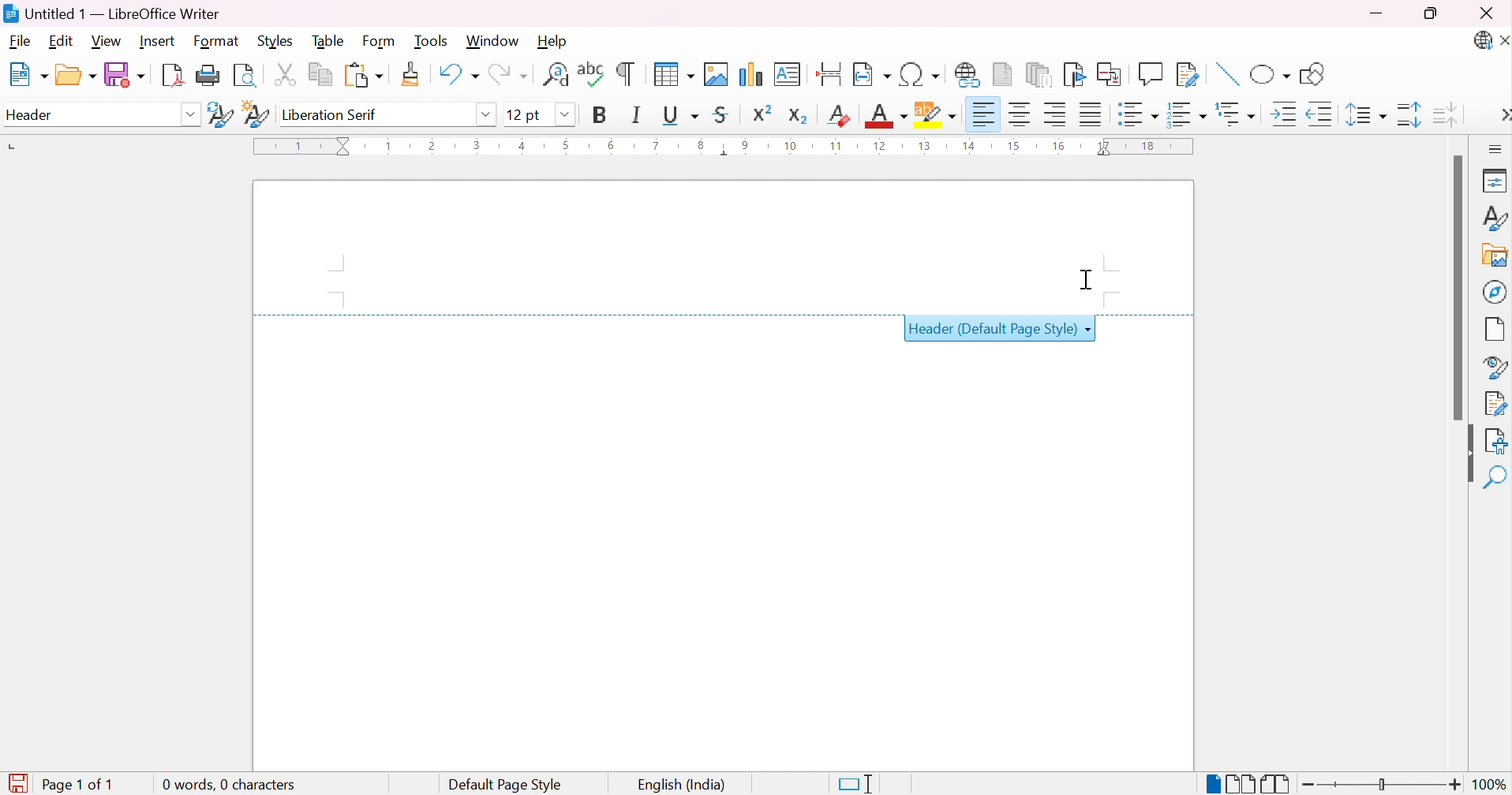  What do you see at coordinates (1454, 784) in the screenshot?
I see `Zoom in` at bounding box center [1454, 784].